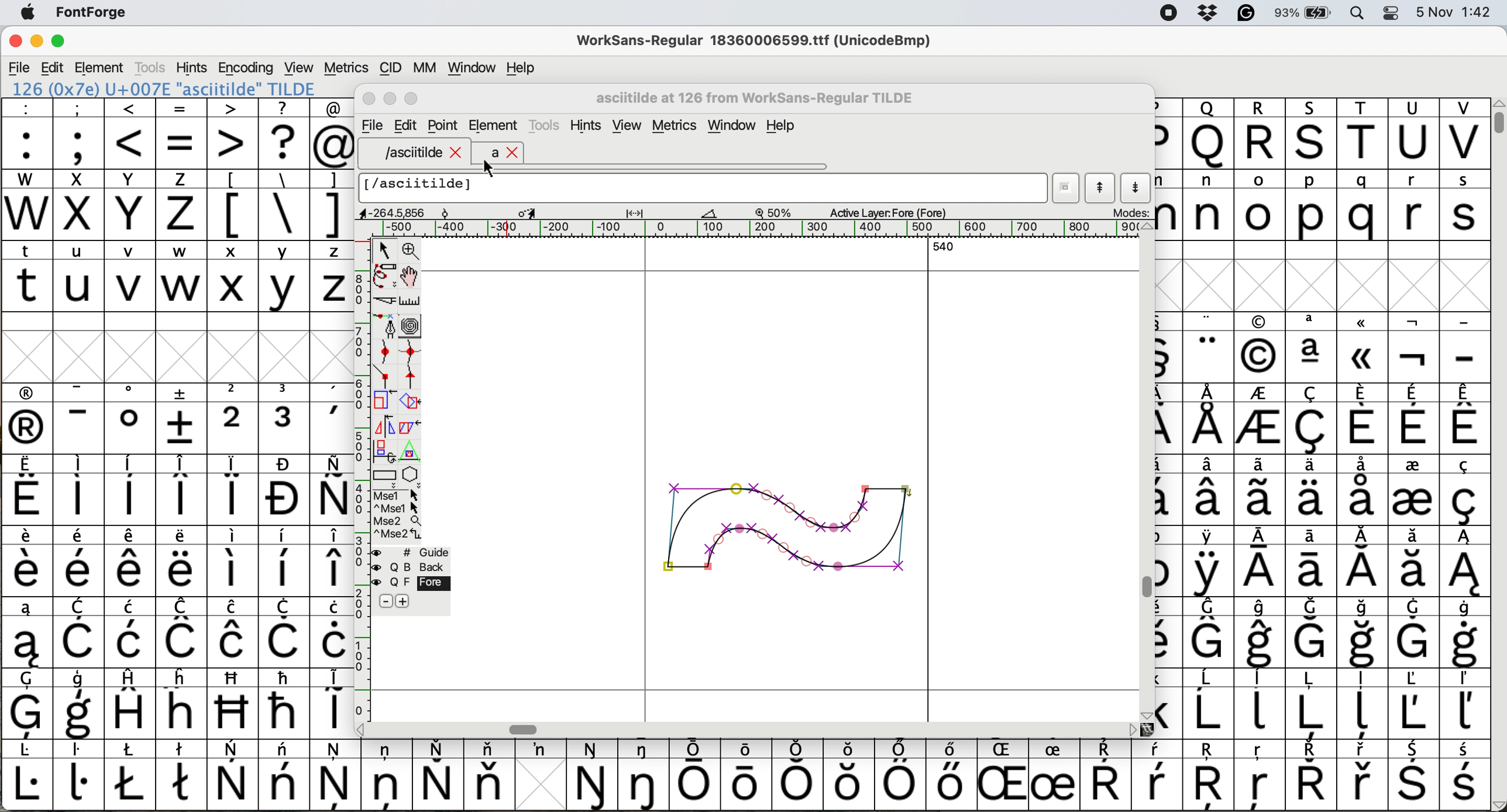 This screenshot has width=1507, height=812. What do you see at coordinates (1312, 633) in the screenshot?
I see `symbol` at bounding box center [1312, 633].